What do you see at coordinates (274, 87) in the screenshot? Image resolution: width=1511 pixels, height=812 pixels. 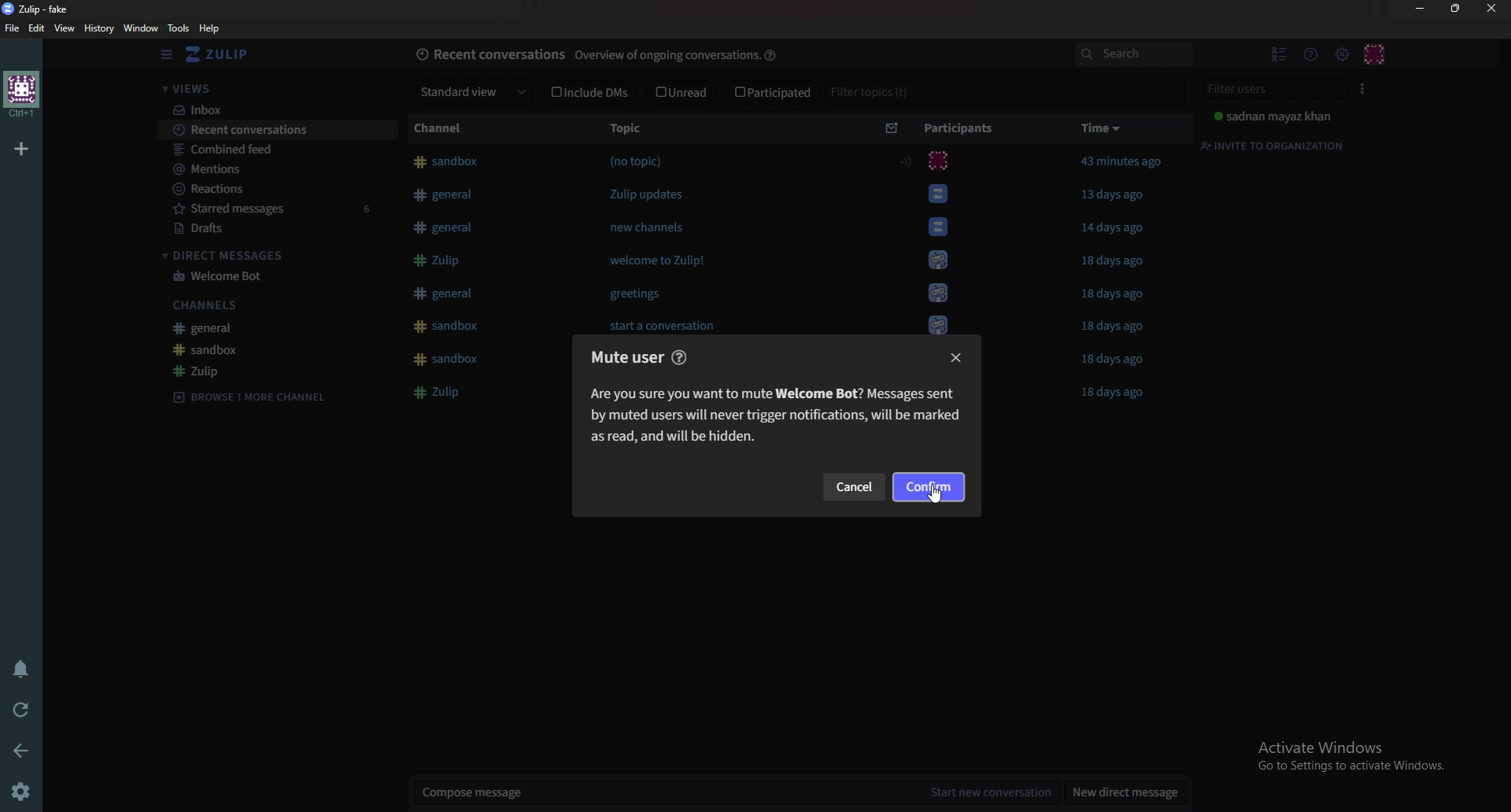 I see `Views` at bounding box center [274, 87].